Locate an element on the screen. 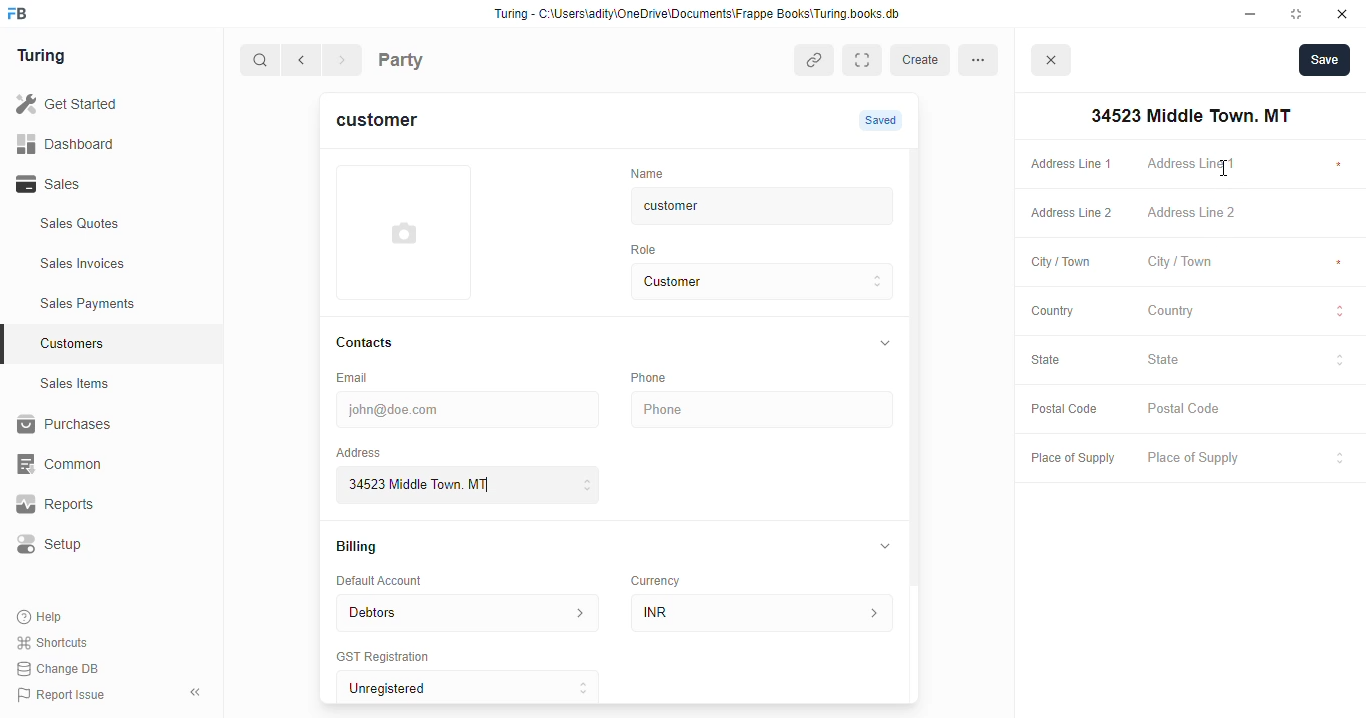 The height and width of the screenshot is (718, 1366). create is located at coordinates (923, 60).